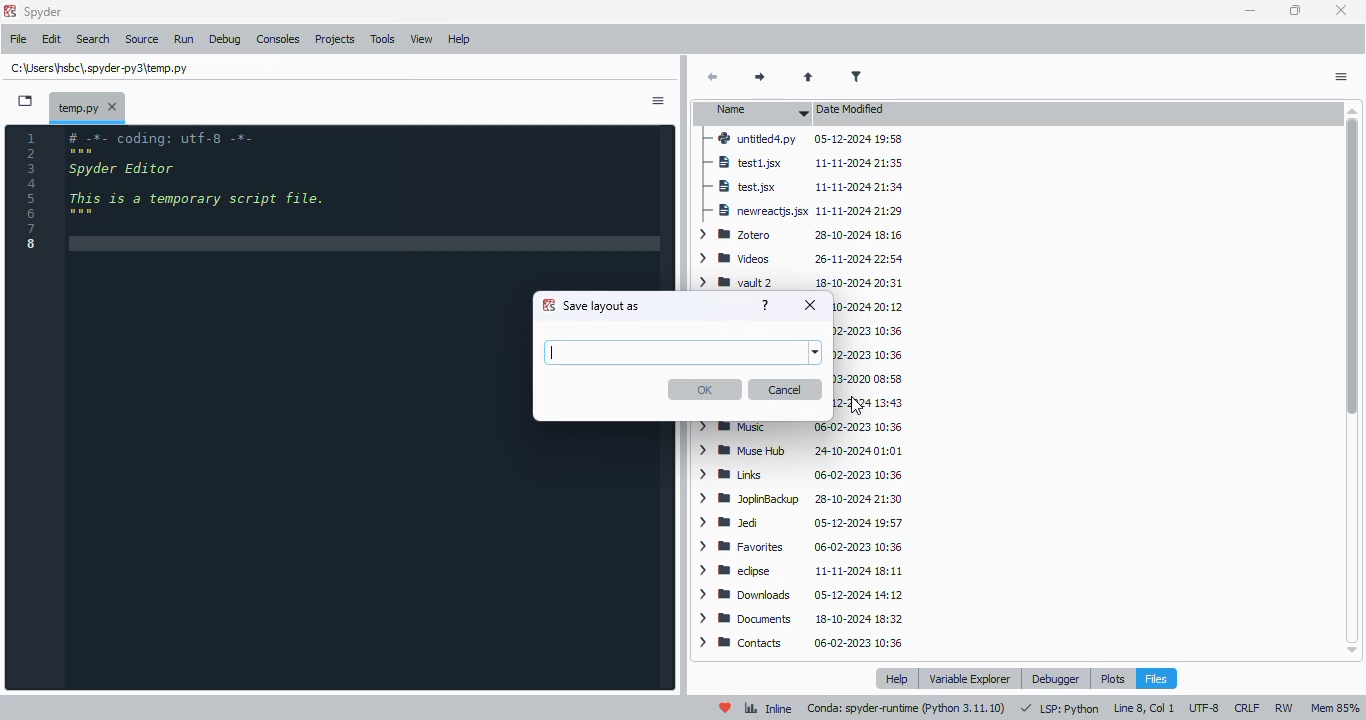  Describe the element at coordinates (98, 68) in the screenshot. I see `temporary file` at that location.